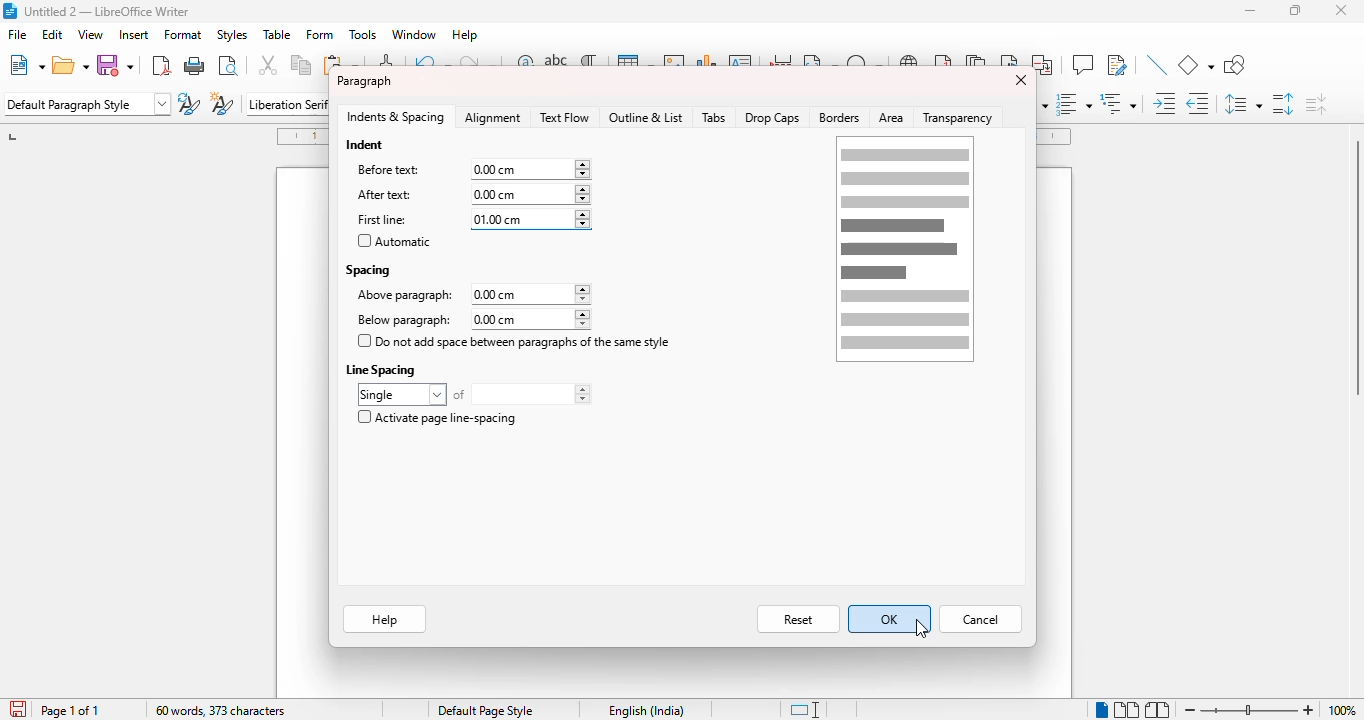  Describe the element at coordinates (648, 710) in the screenshot. I see `text language` at that location.